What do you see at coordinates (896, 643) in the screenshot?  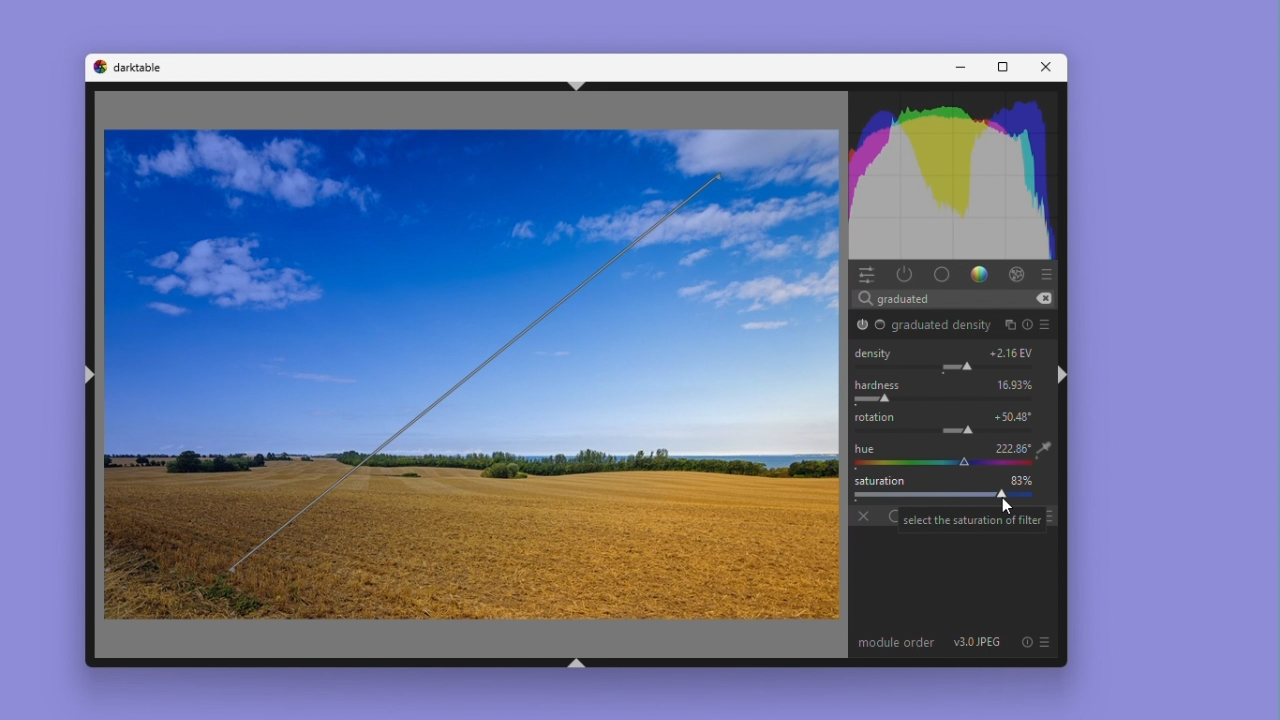 I see `module order` at bounding box center [896, 643].